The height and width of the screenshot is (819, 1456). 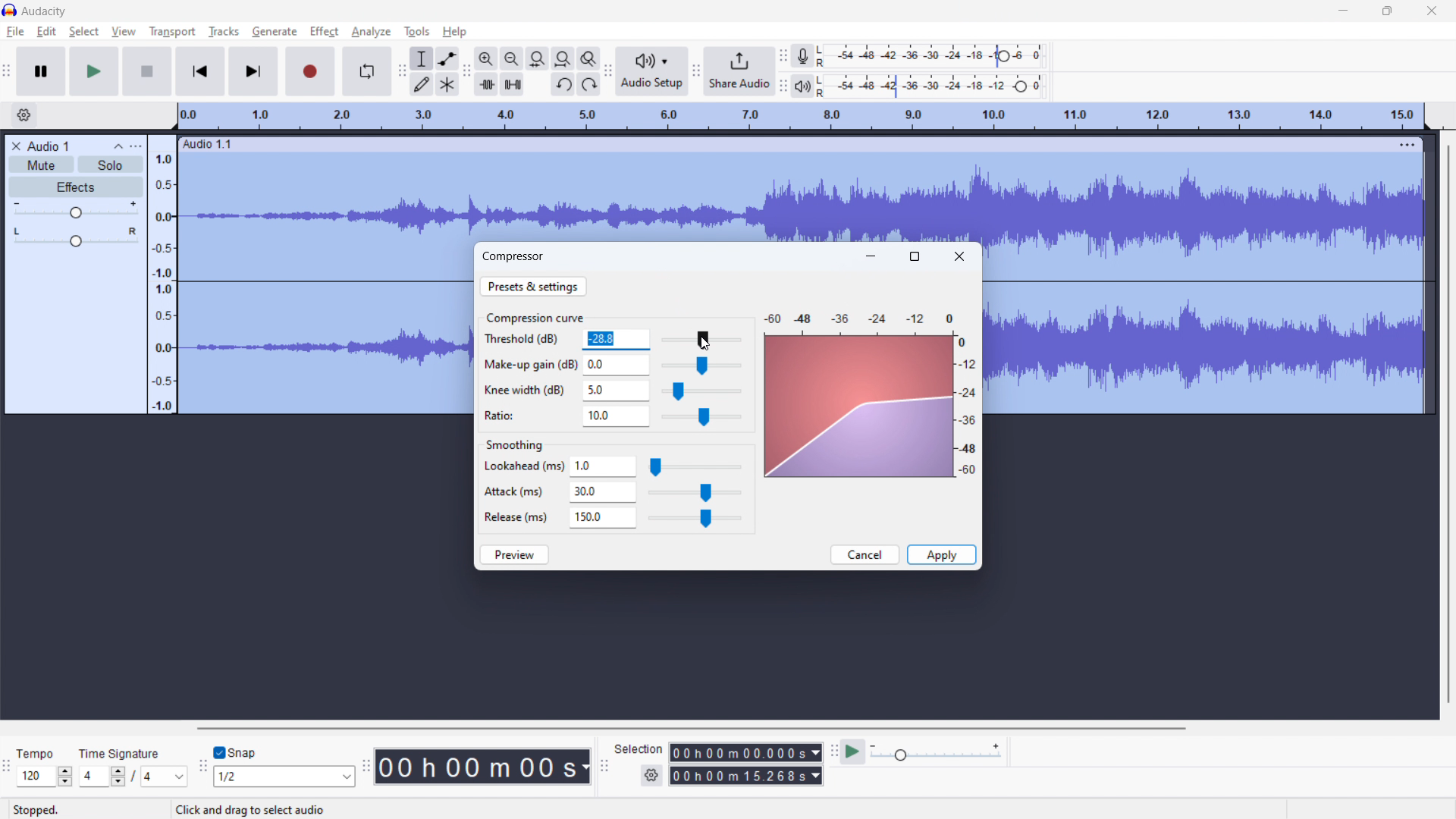 I want to click on playback speed, so click(x=937, y=752).